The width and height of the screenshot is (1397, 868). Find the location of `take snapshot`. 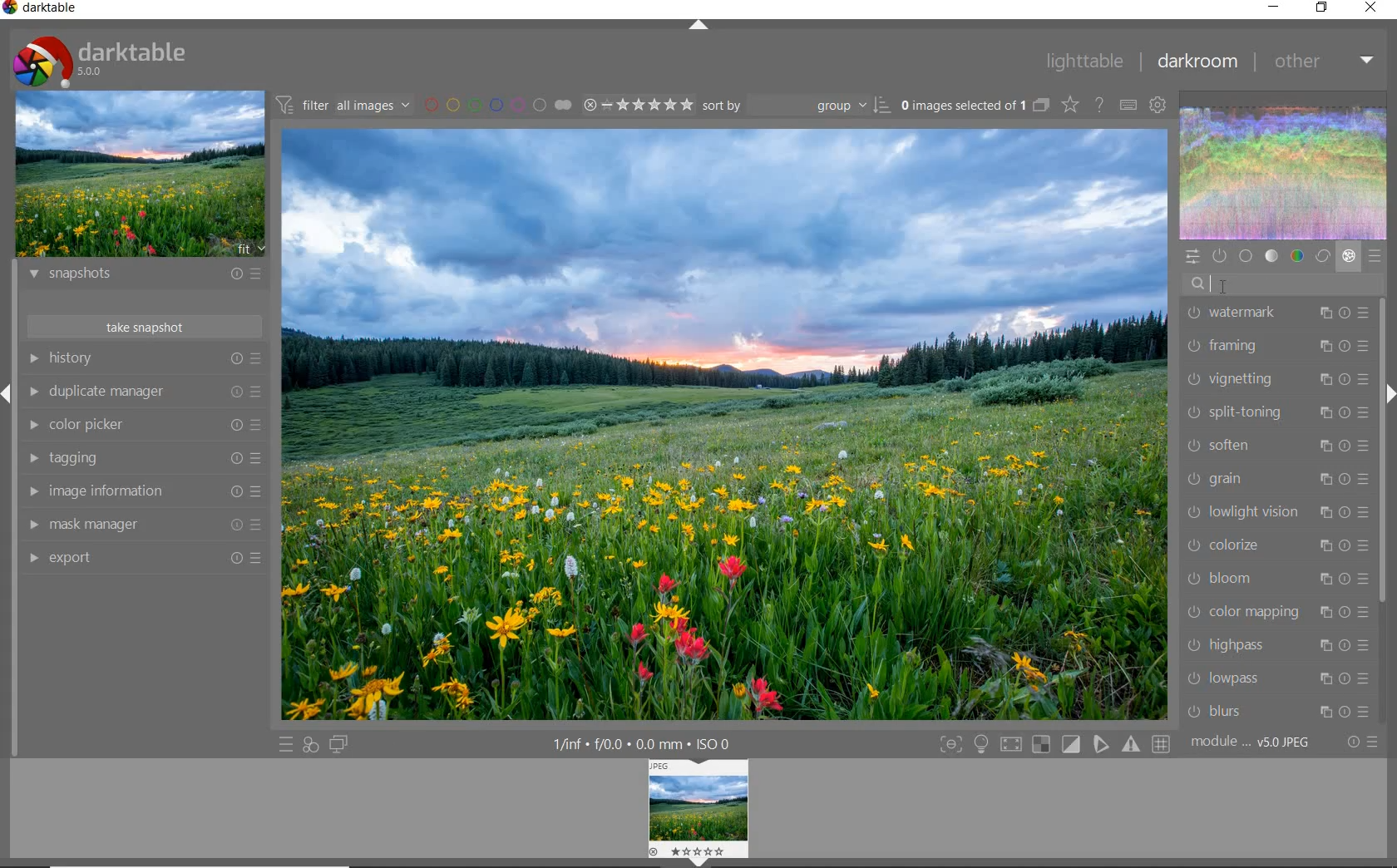

take snapshot is located at coordinates (146, 327).